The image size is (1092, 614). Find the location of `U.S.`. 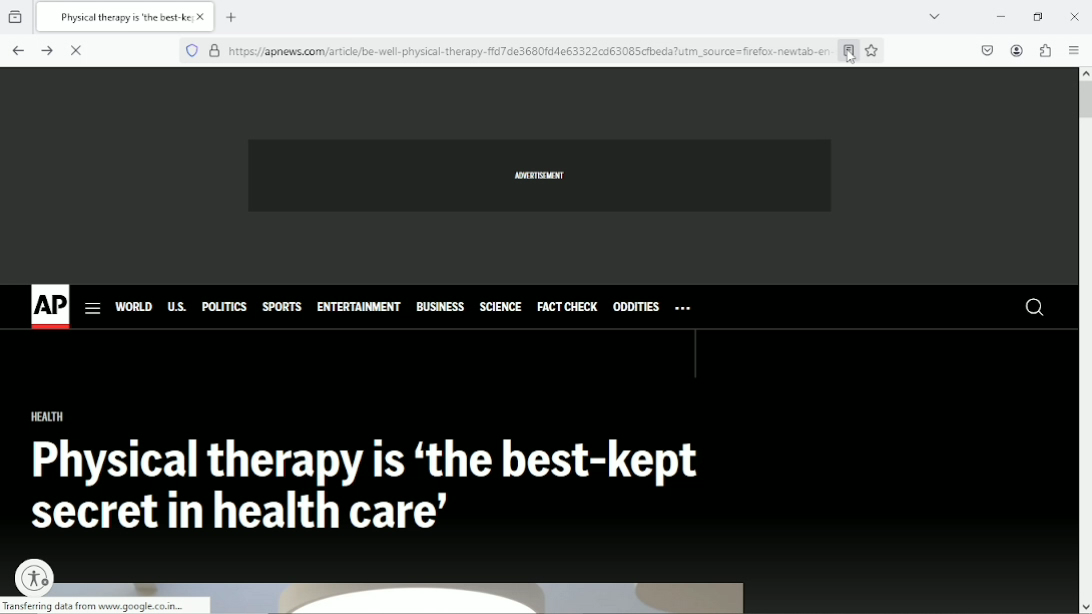

U.S. is located at coordinates (178, 307).